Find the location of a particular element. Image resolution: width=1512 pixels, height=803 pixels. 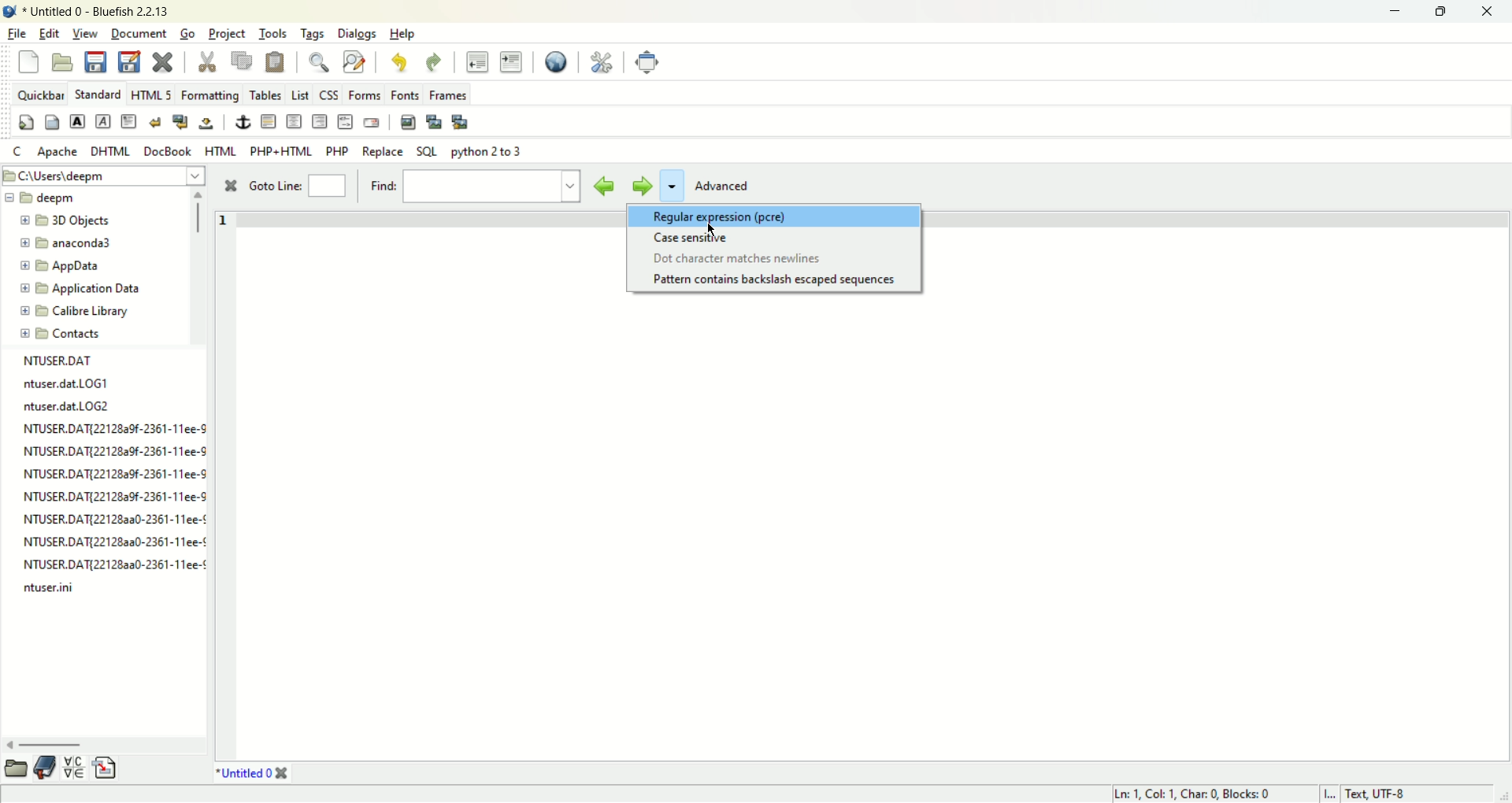

vertical scroll bar is located at coordinates (198, 213).